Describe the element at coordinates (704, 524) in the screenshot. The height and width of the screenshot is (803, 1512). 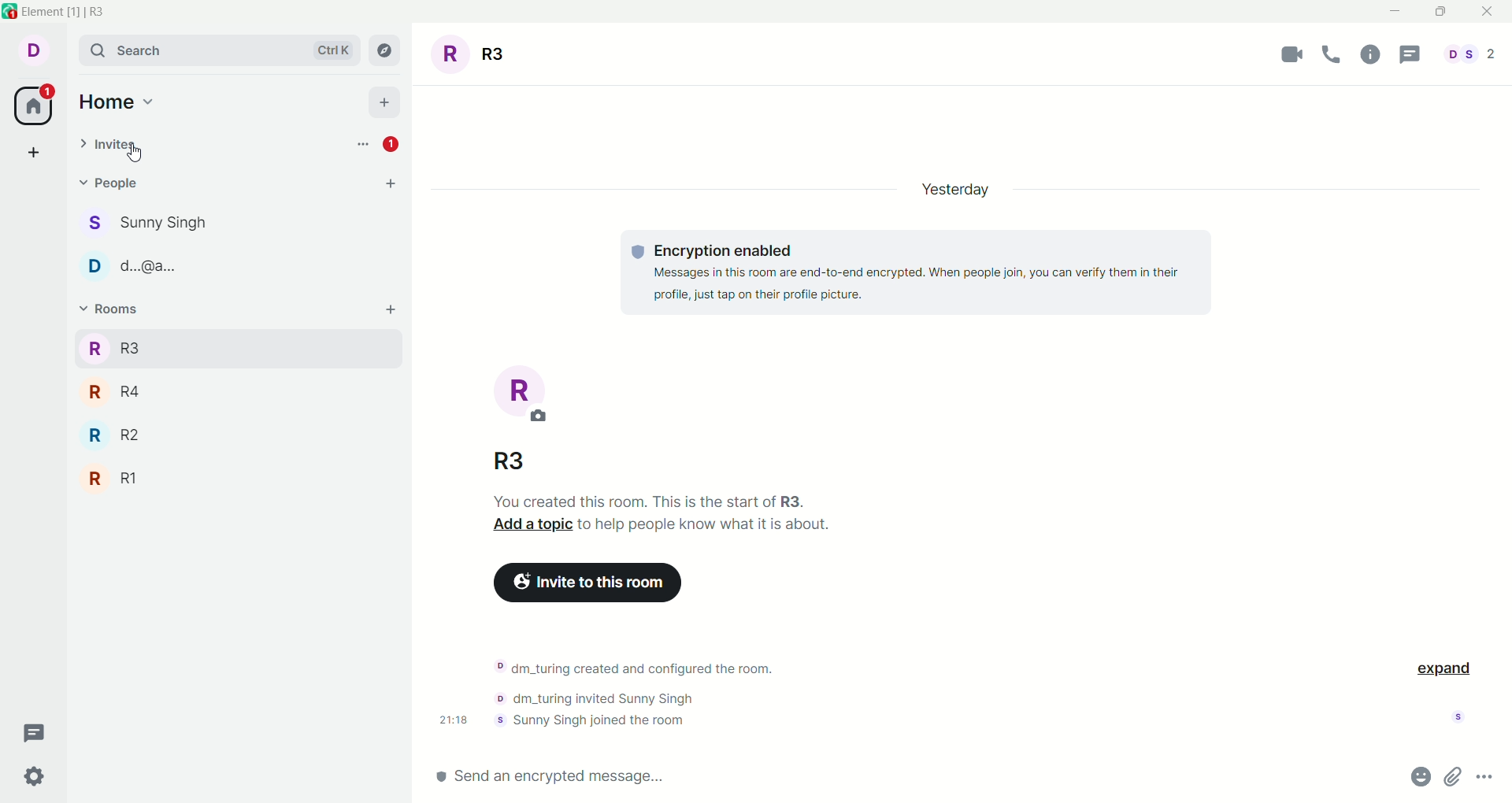
I see `textr` at that location.